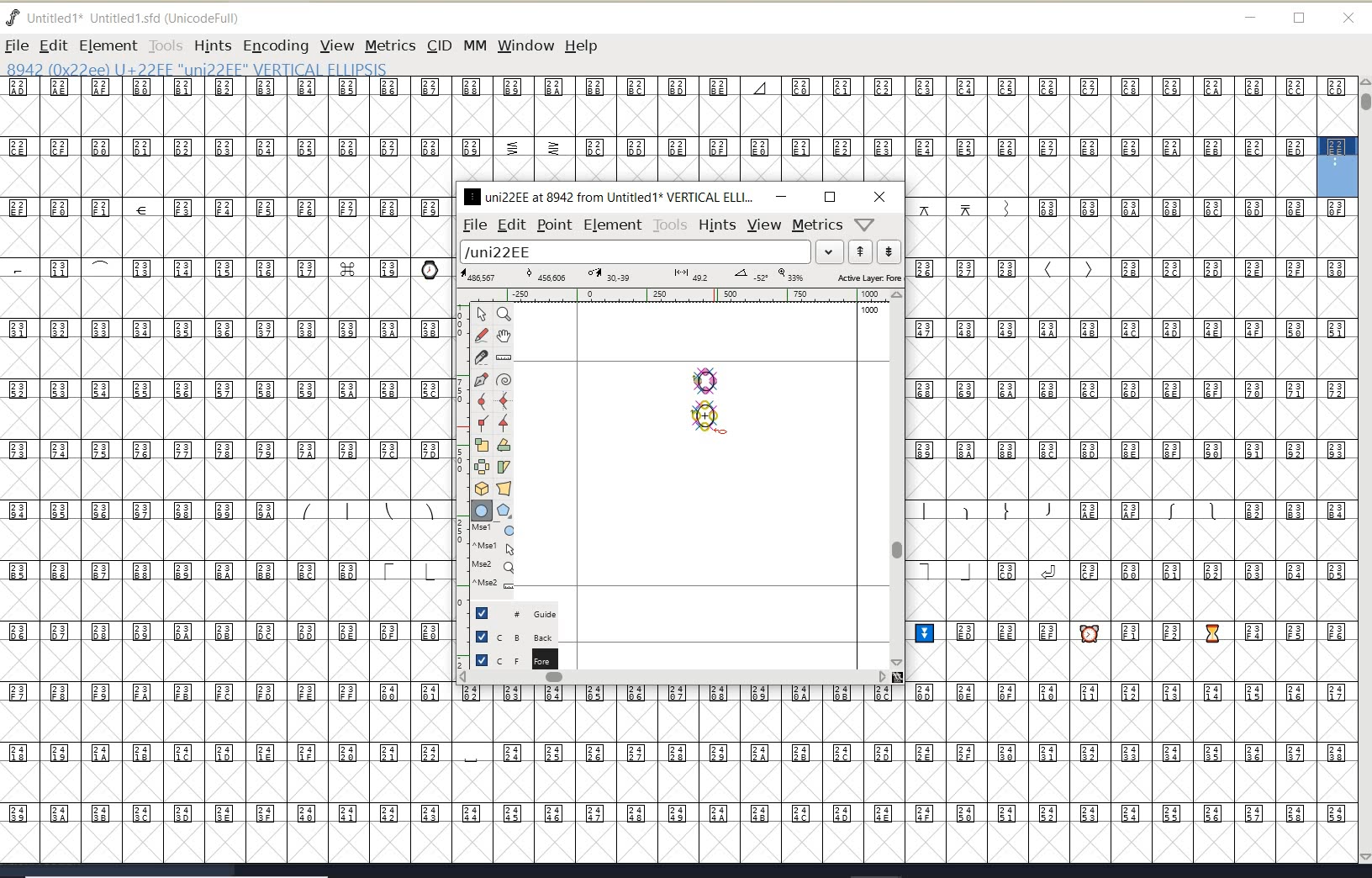 This screenshot has height=878, width=1372. Describe the element at coordinates (223, 431) in the screenshot. I see `GLYPHY CHARACTERS & NUMBERS` at that location.